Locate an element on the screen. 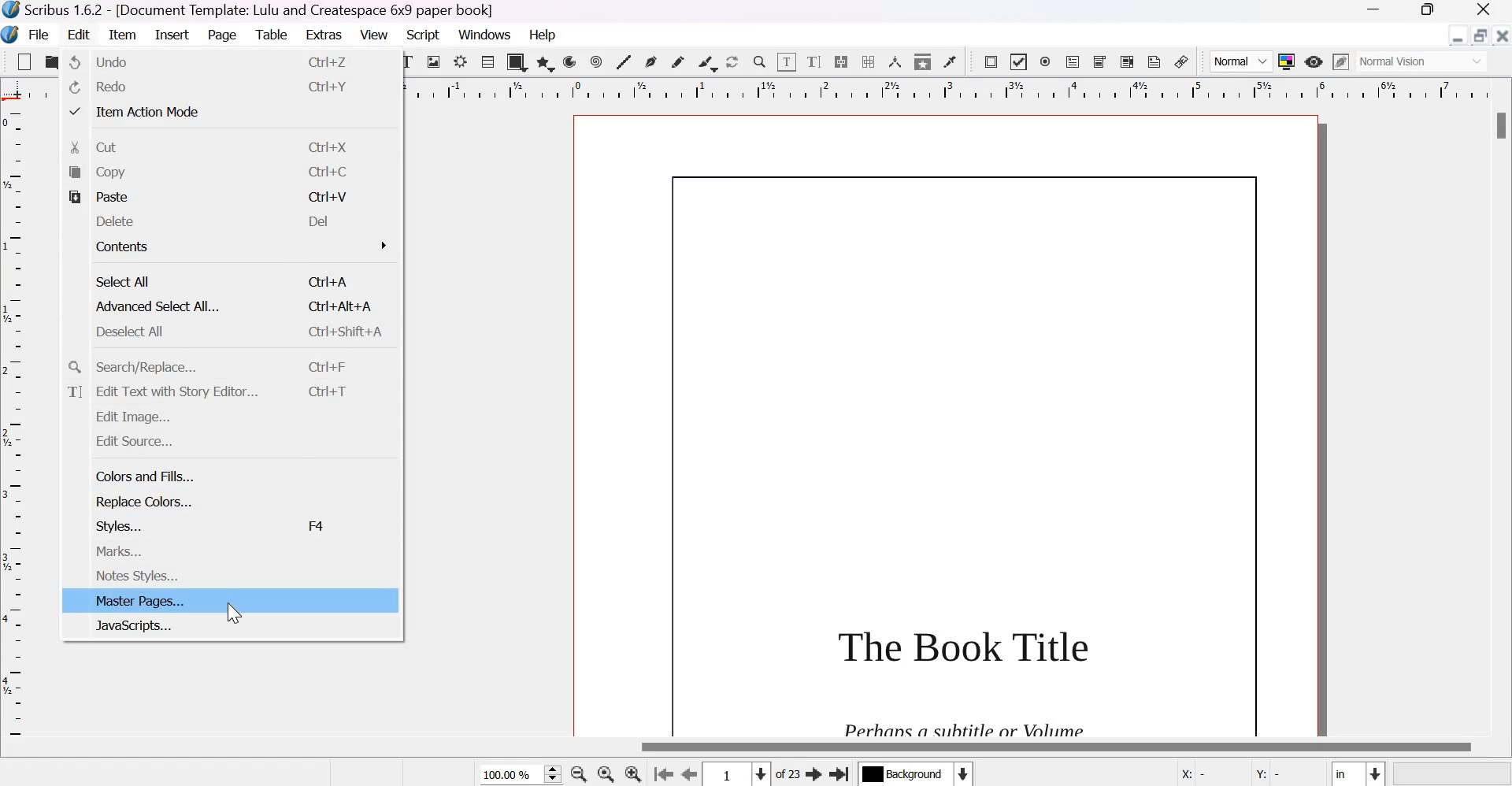 The height and width of the screenshot is (786, 1512). File is located at coordinates (38, 34).